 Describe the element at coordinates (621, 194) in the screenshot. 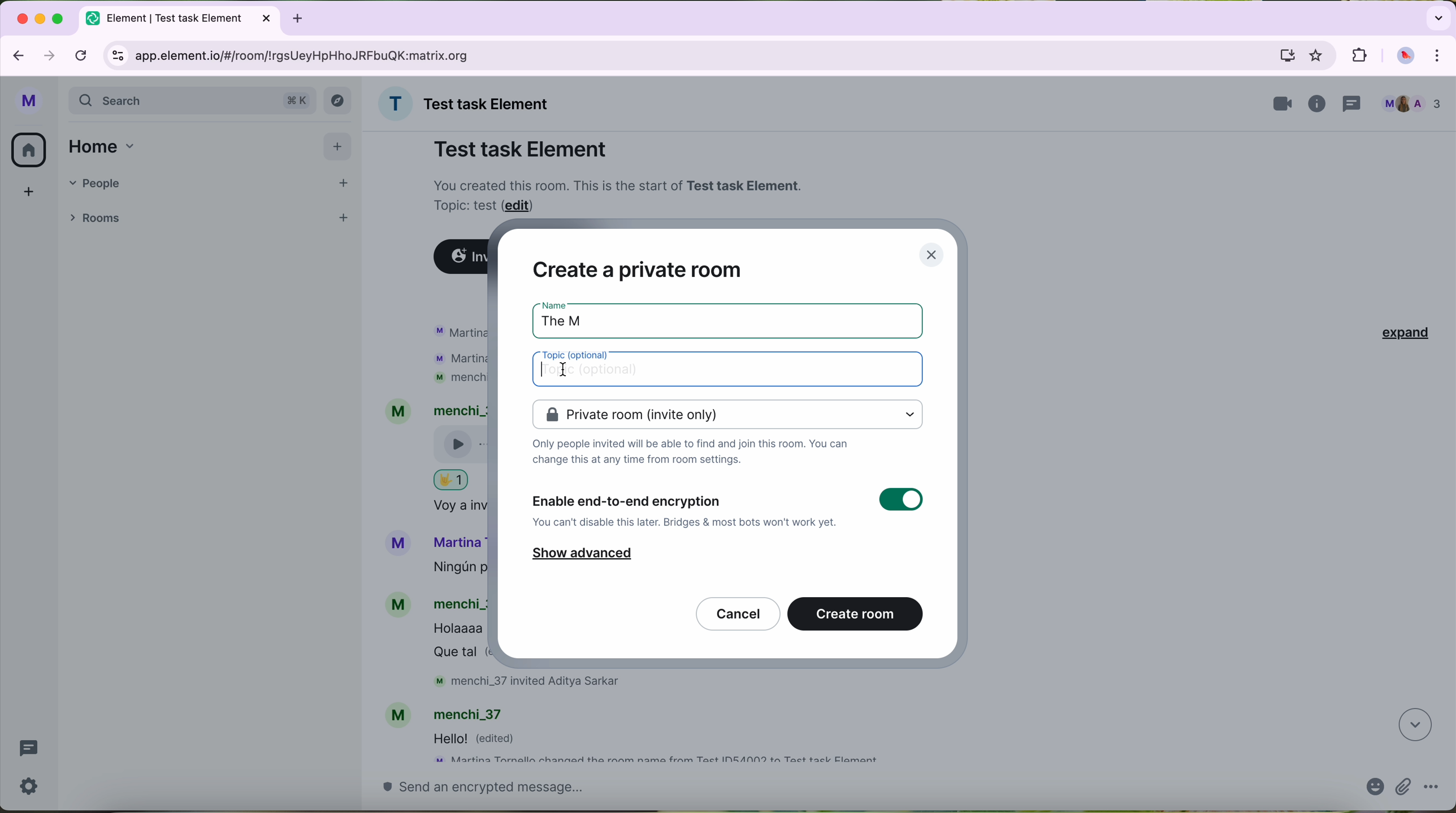

I see `note` at that location.